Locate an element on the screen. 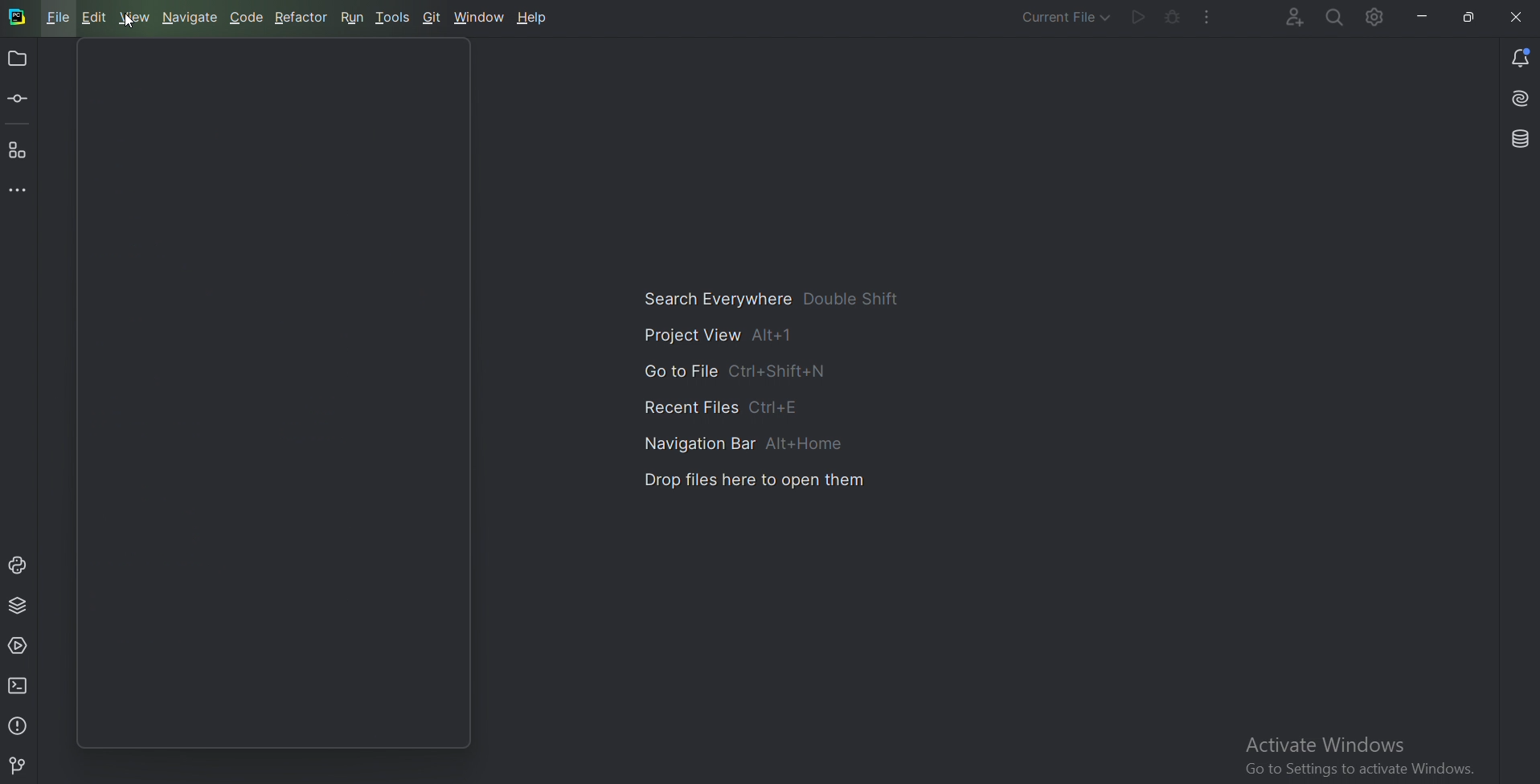 This screenshot has width=1540, height=784. Notifications is located at coordinates (1519, 55).